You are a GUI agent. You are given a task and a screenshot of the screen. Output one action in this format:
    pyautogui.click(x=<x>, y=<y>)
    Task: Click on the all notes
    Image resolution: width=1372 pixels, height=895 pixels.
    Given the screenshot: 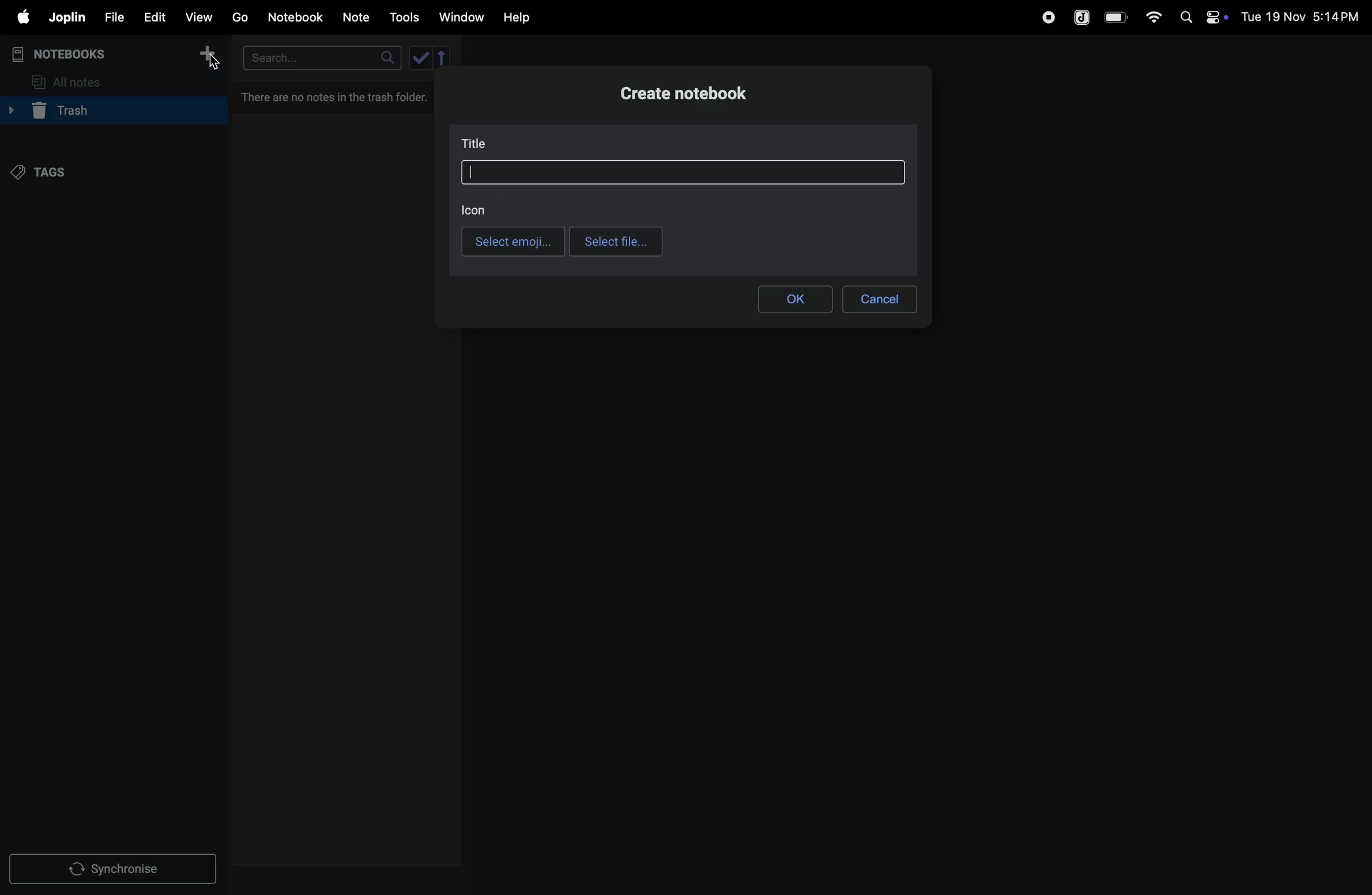 What is the action you would take?
    pyautogui.click(x=69, y=82)
    